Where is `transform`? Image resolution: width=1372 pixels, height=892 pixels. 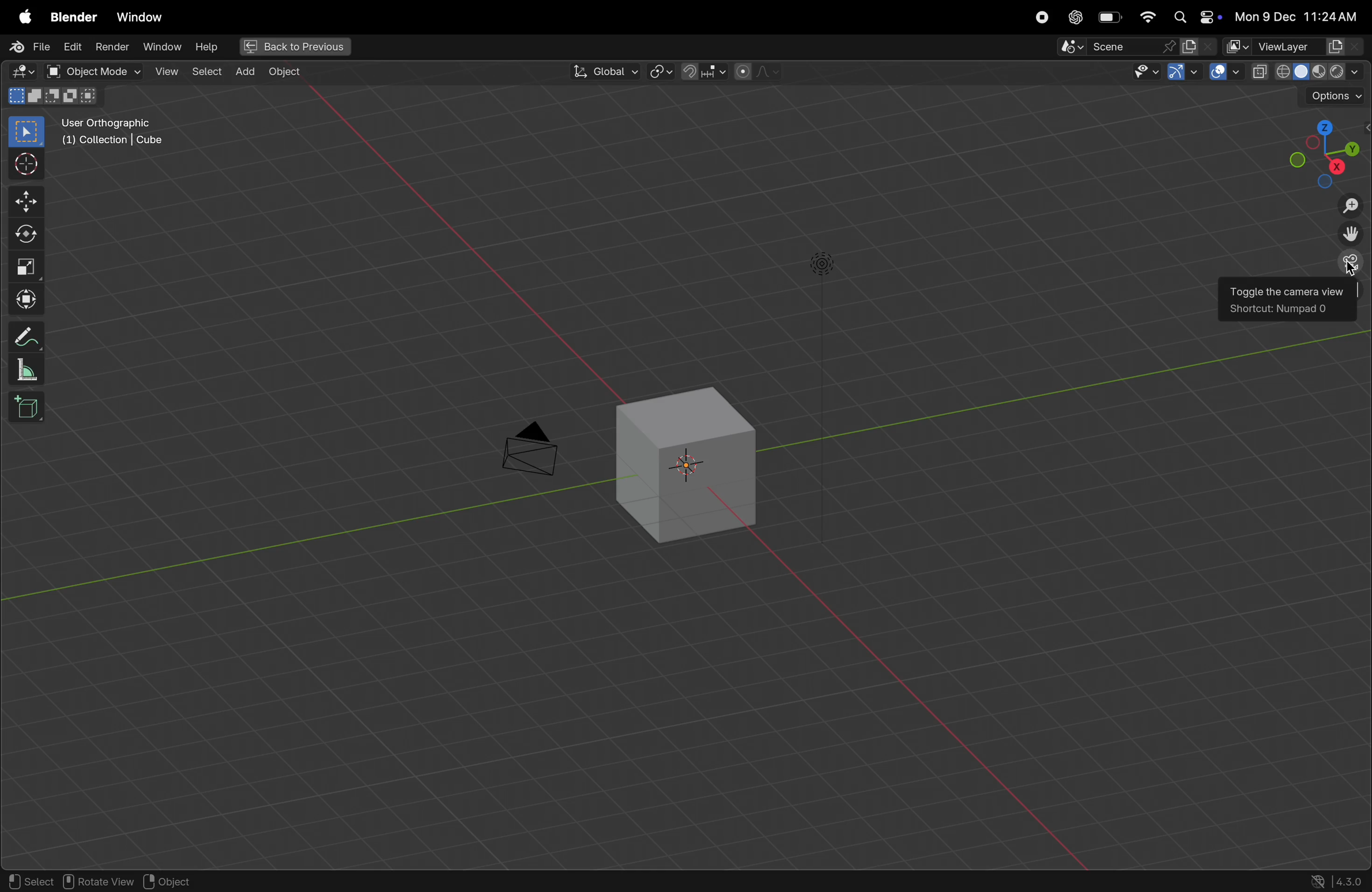 transform is located at coordinates (24, 300).